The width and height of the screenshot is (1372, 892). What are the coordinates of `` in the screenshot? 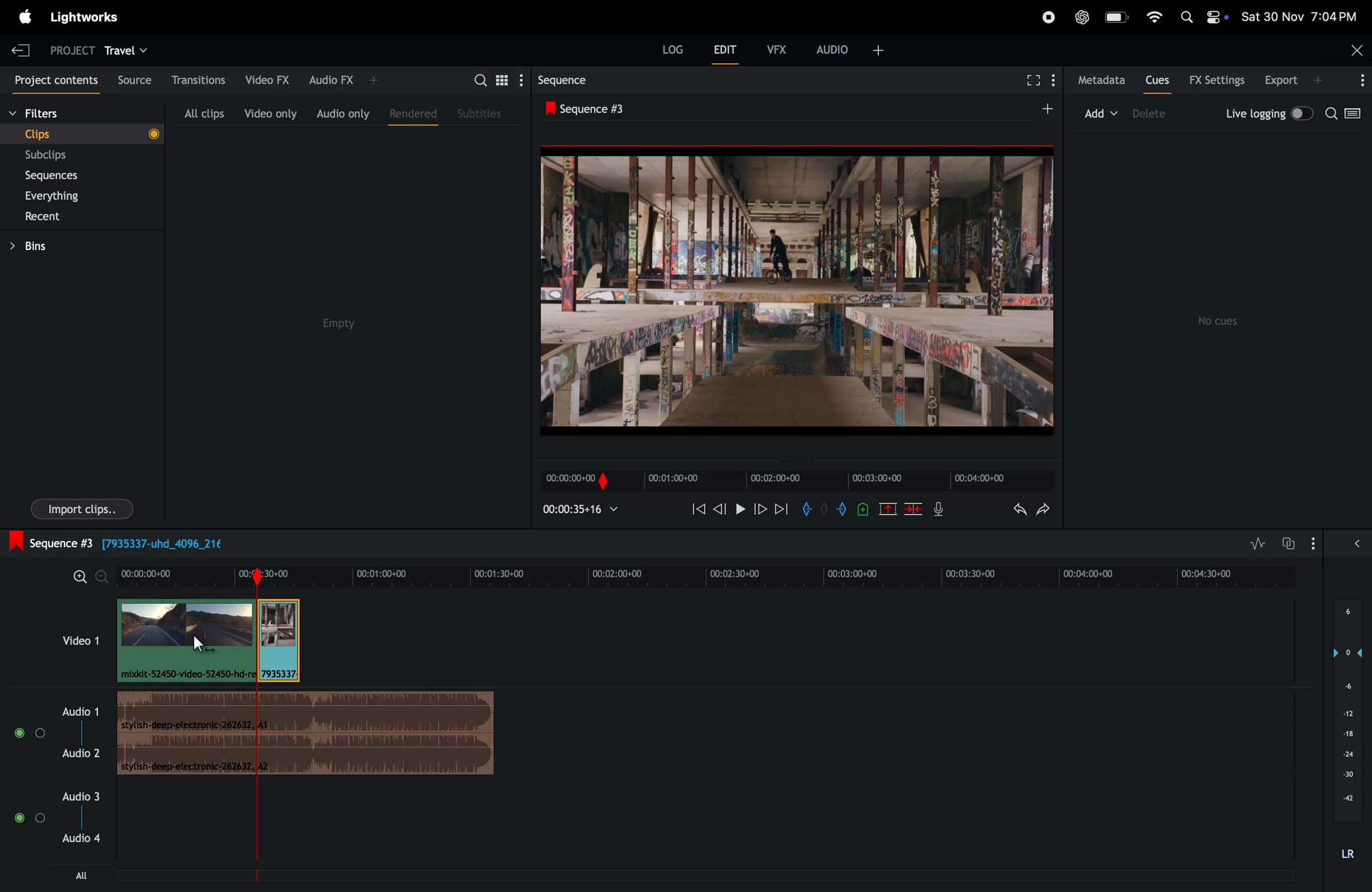 It's located at (889, 508).